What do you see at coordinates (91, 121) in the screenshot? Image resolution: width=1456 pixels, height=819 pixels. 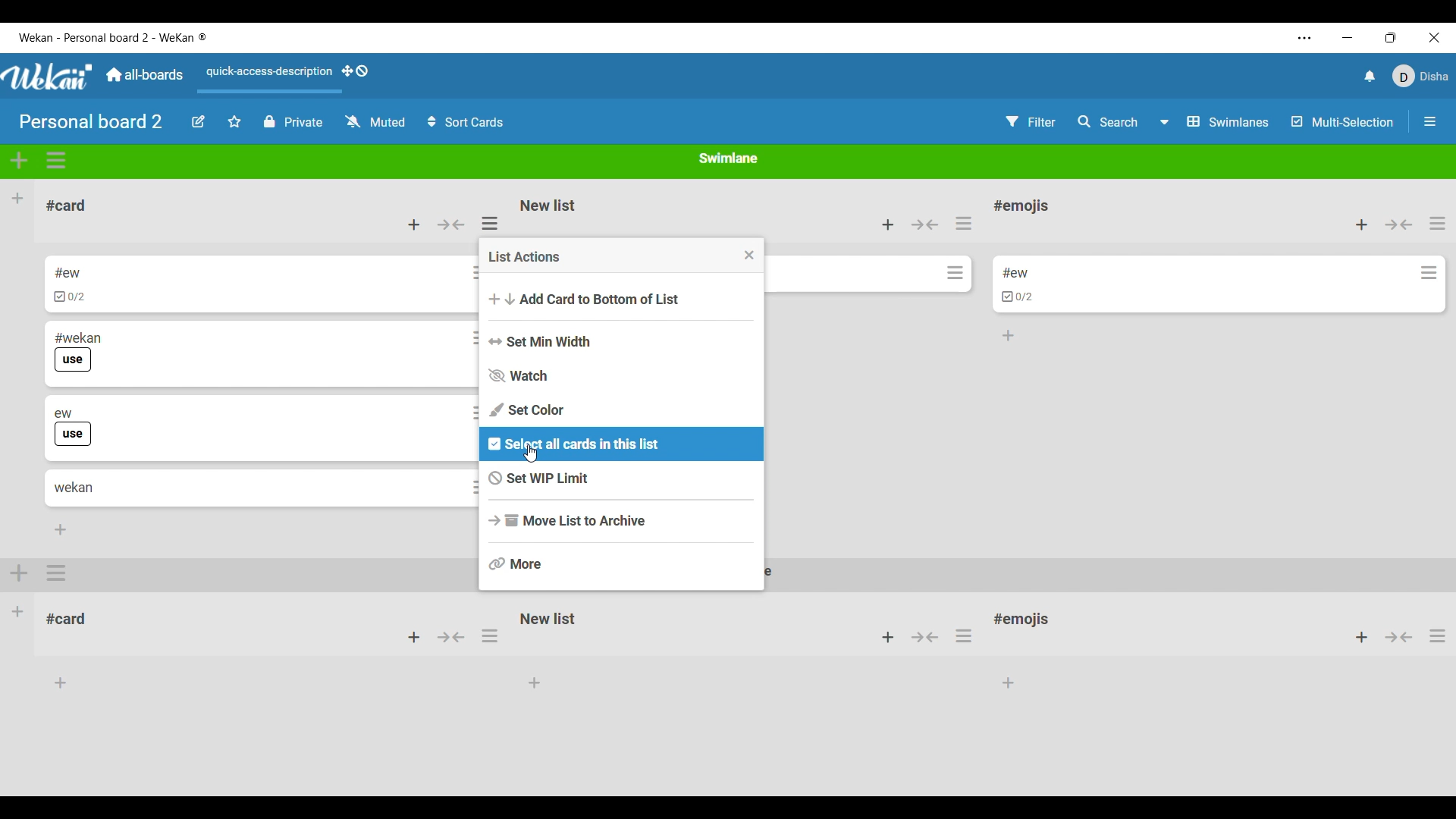 I see `Board title` at bounding box center [91, 121].